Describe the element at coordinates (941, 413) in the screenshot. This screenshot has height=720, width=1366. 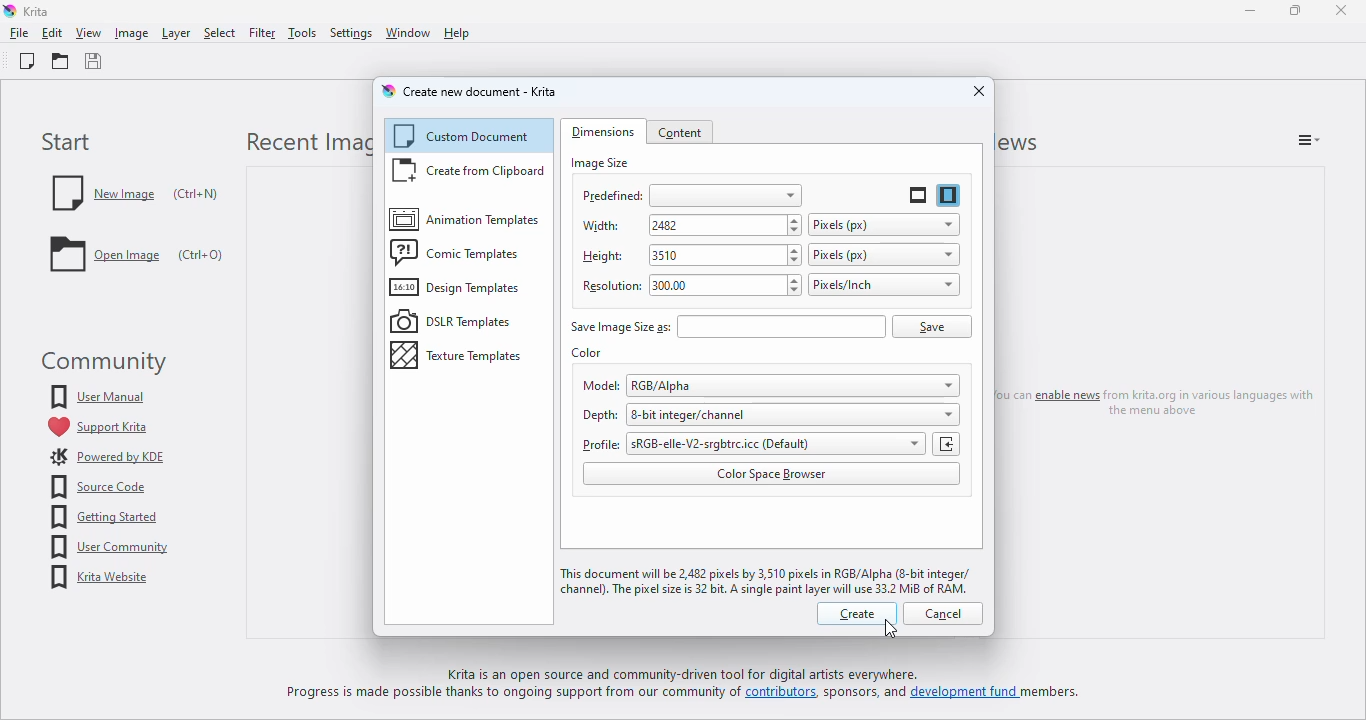
I see `Depth drop down` at that location.